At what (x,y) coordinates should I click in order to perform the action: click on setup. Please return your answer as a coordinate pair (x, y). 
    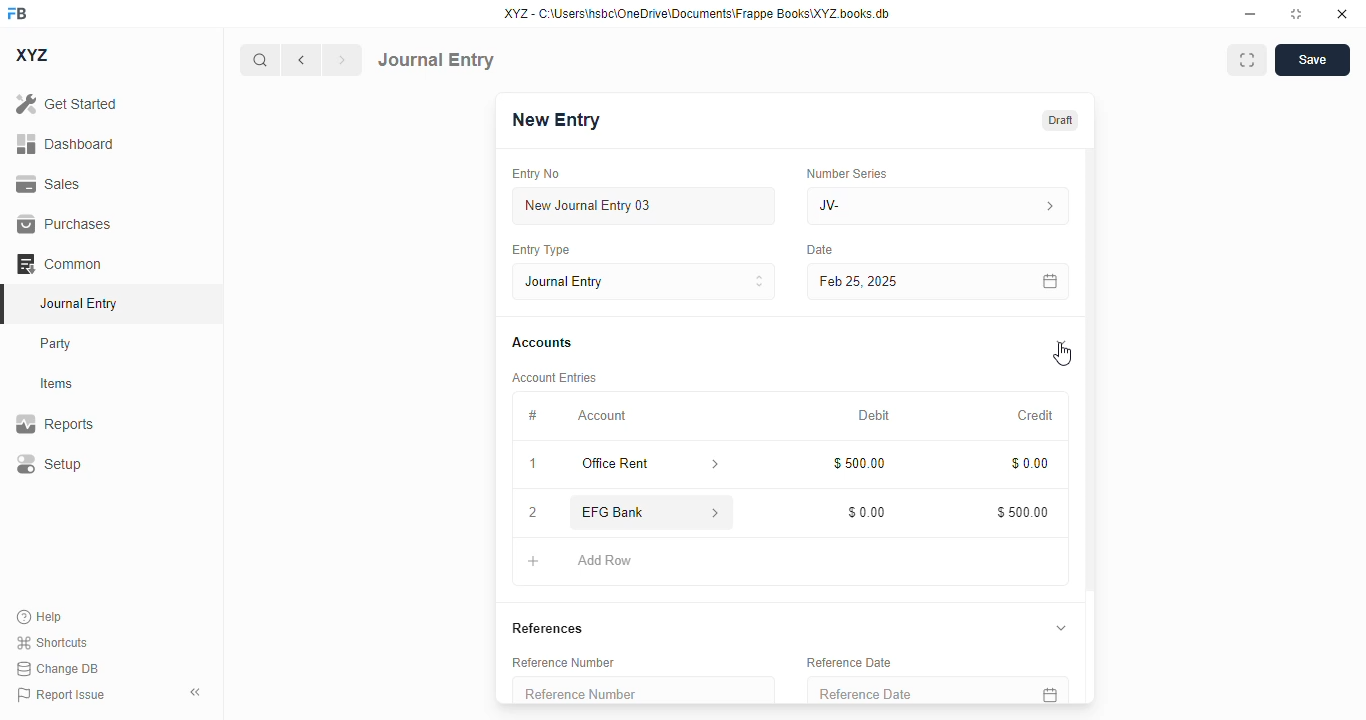
    Looking at the image, I should click on (48, 463).